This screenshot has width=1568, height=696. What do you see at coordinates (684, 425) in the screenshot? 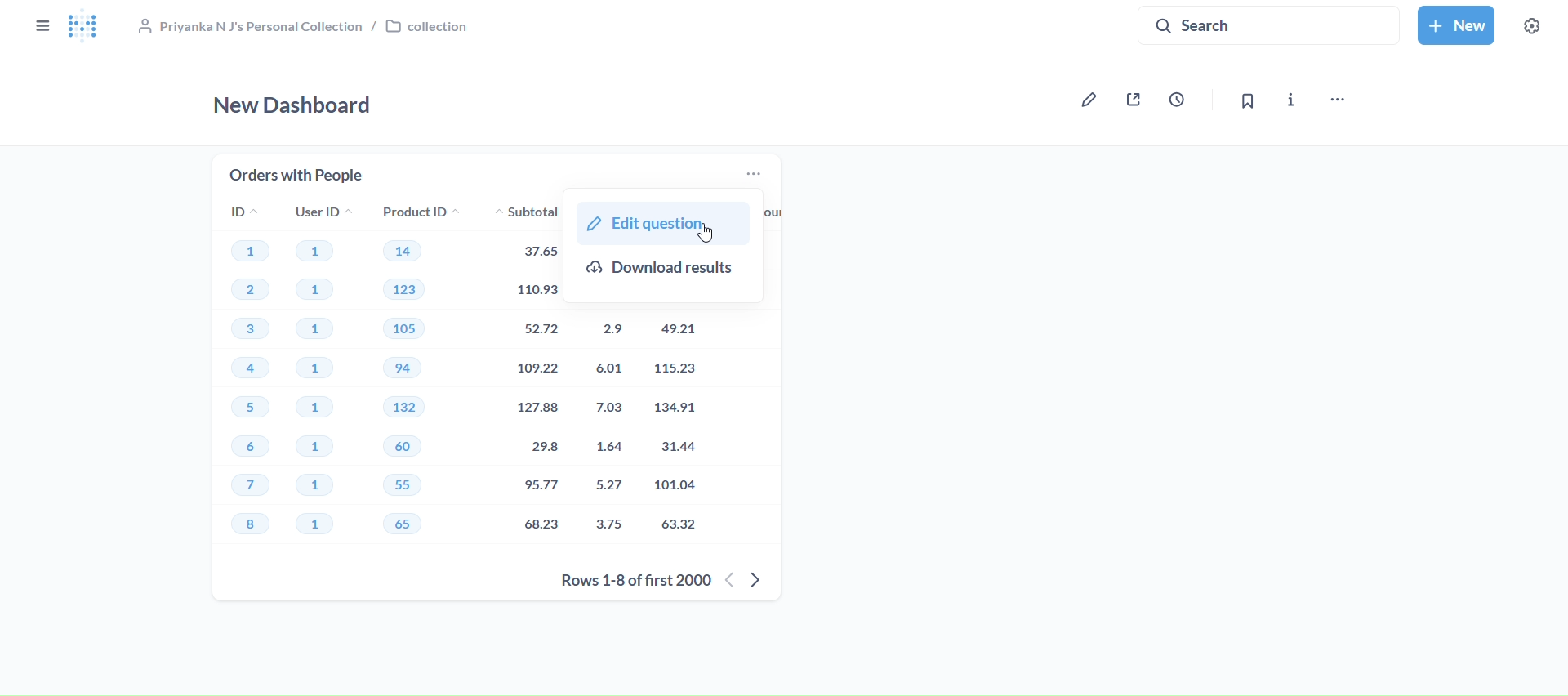
I see `total` at bounding box center [684, 425].